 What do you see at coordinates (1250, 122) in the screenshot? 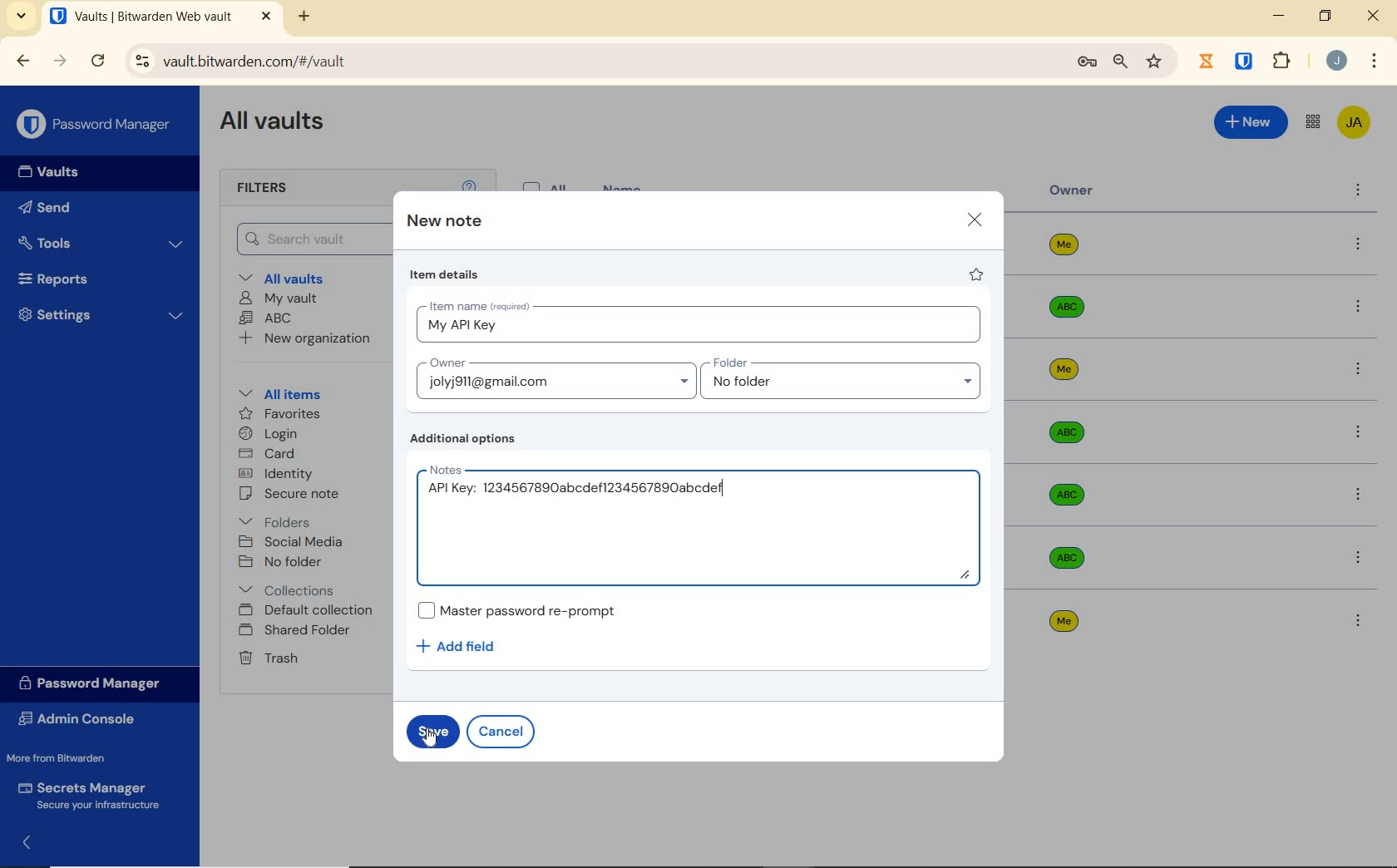
I see `New` at bounding box center [1250, 122].